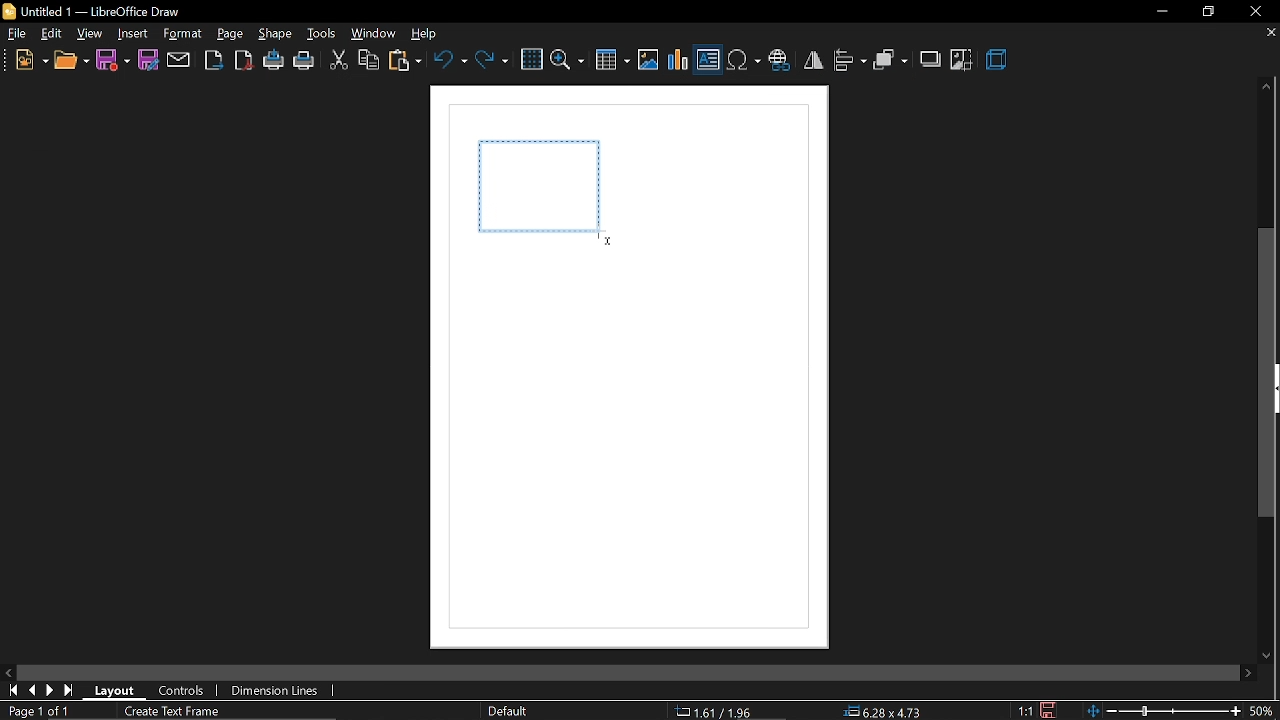  What do you see at coordinates (648, 61) in the screenshot?
I see `insert image` at bounding box center [648, 61].